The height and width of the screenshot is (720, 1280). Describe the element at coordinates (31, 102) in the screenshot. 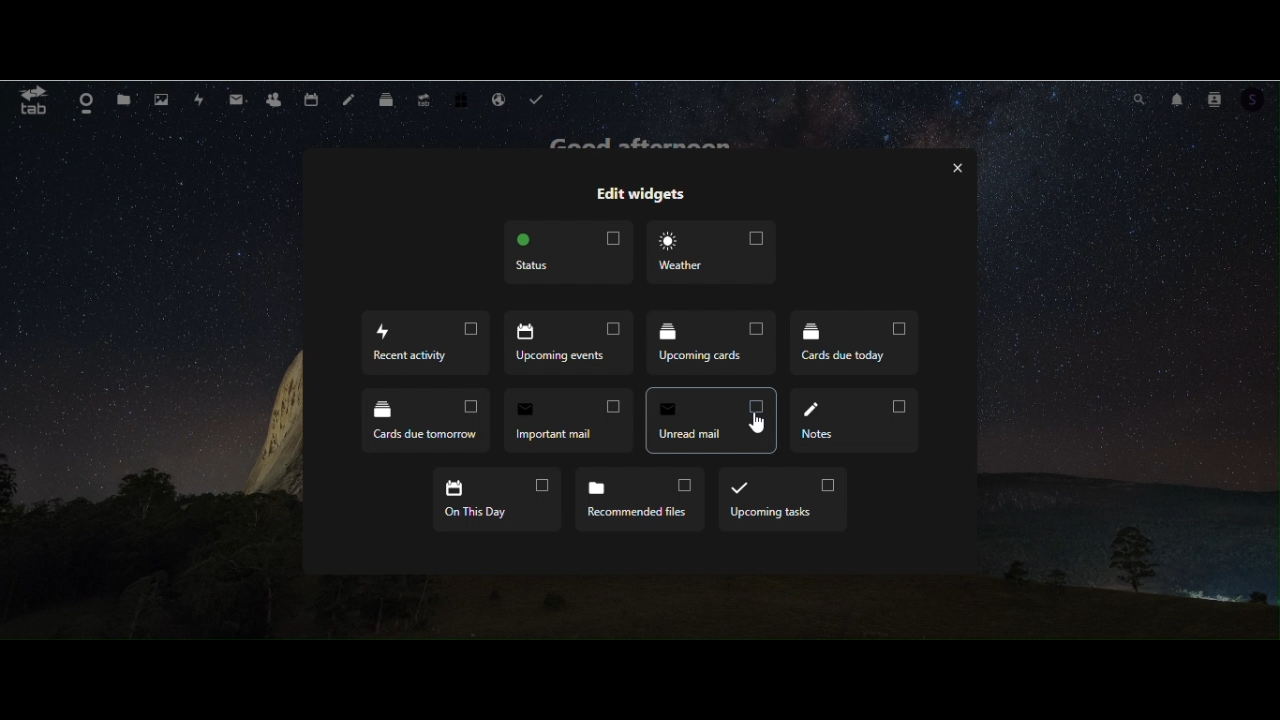

I see `tab` at that location.